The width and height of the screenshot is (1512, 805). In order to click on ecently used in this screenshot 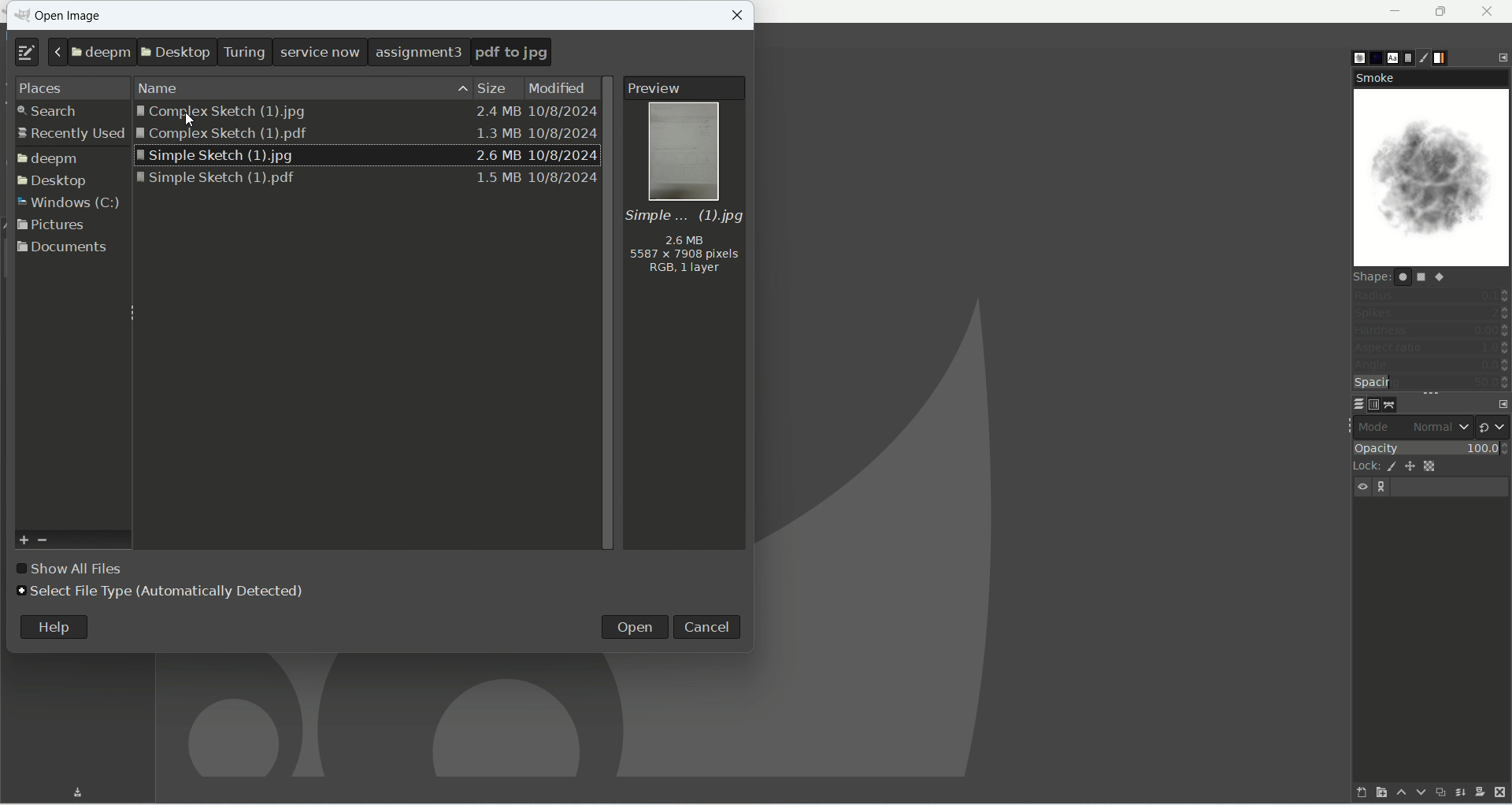, I will do `click(69, 135)`.